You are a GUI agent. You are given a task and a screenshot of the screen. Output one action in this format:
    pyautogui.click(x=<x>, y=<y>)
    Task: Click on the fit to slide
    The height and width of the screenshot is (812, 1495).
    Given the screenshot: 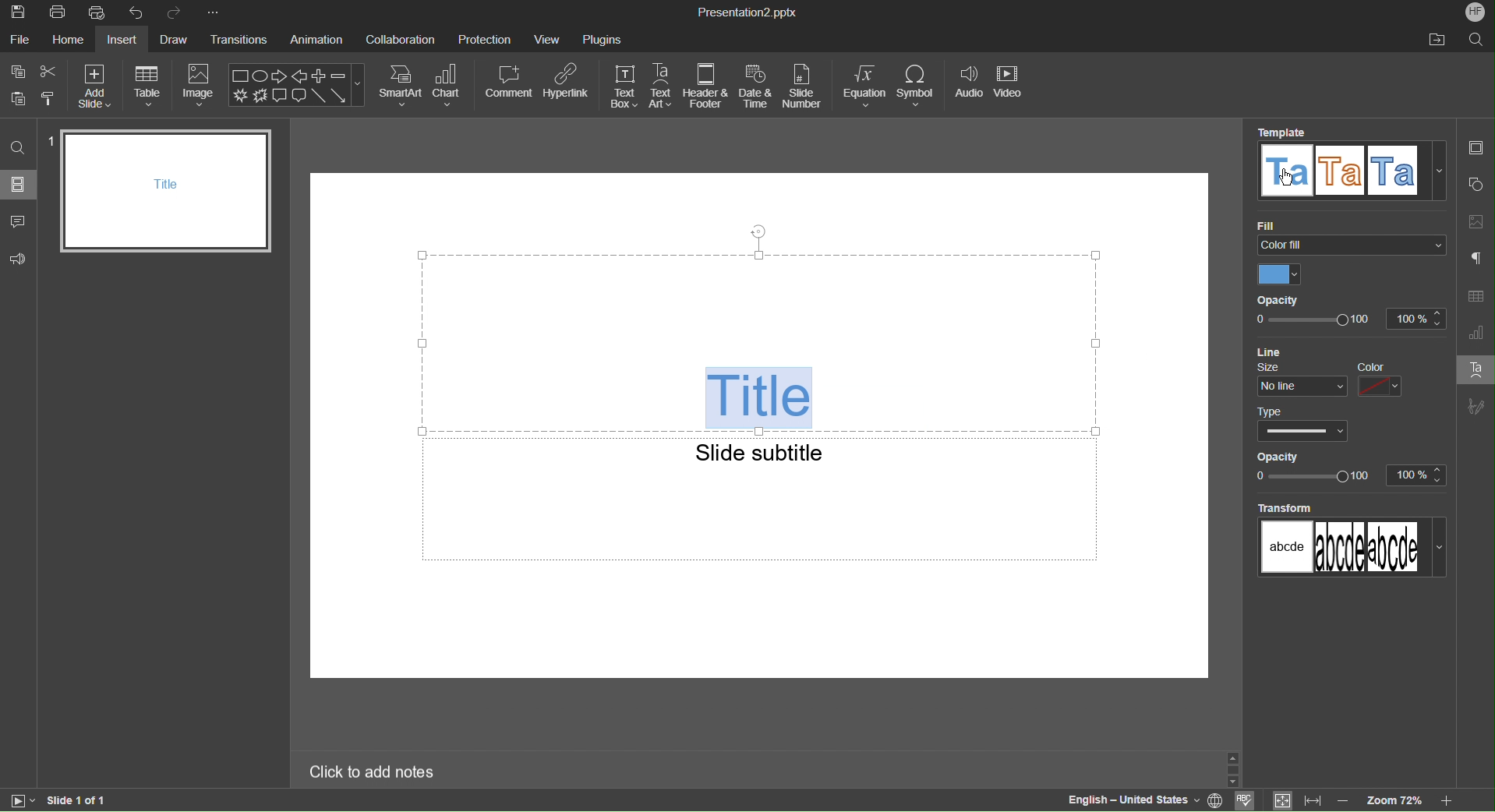 What is the action you would take?
    pyautogui.click(x=1281, y=800)
    